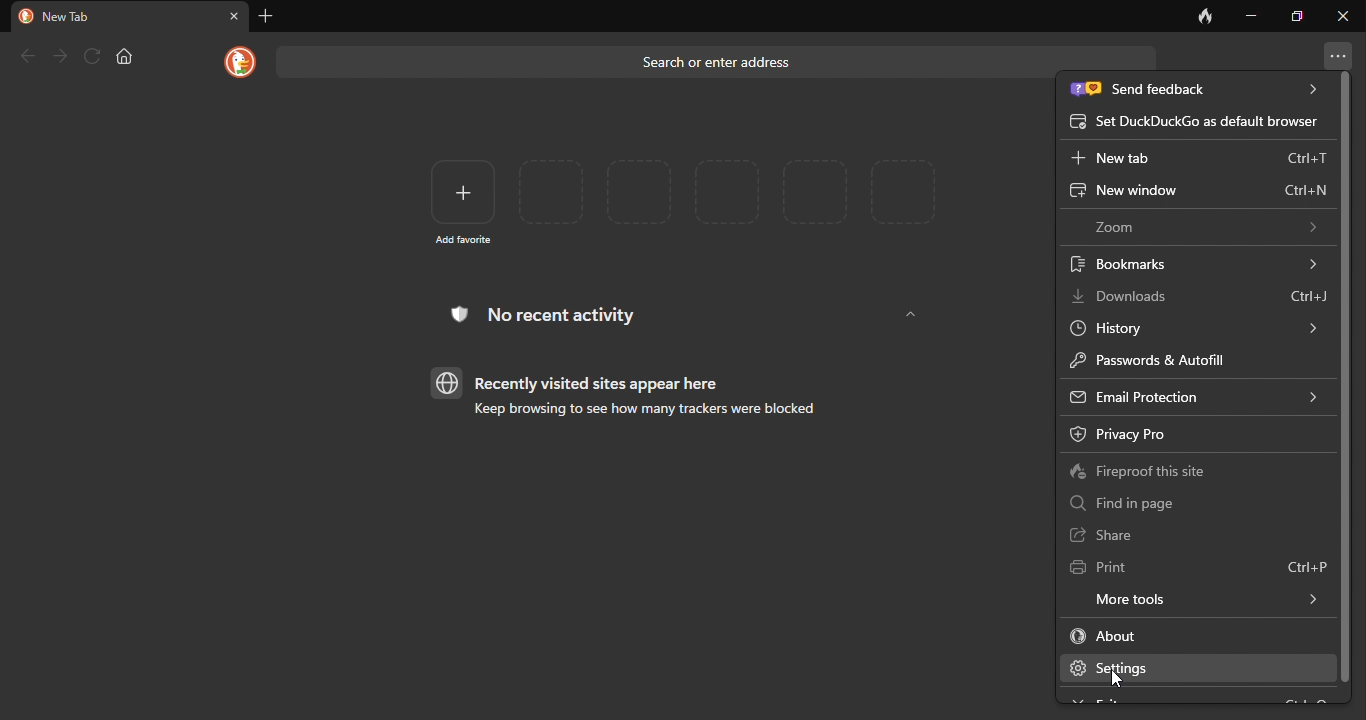  What do you see at coordinates (636, 413) in the screenshot?
I see `keep browsing to see how many trackers were blocked` at bounding box center [636, 413].